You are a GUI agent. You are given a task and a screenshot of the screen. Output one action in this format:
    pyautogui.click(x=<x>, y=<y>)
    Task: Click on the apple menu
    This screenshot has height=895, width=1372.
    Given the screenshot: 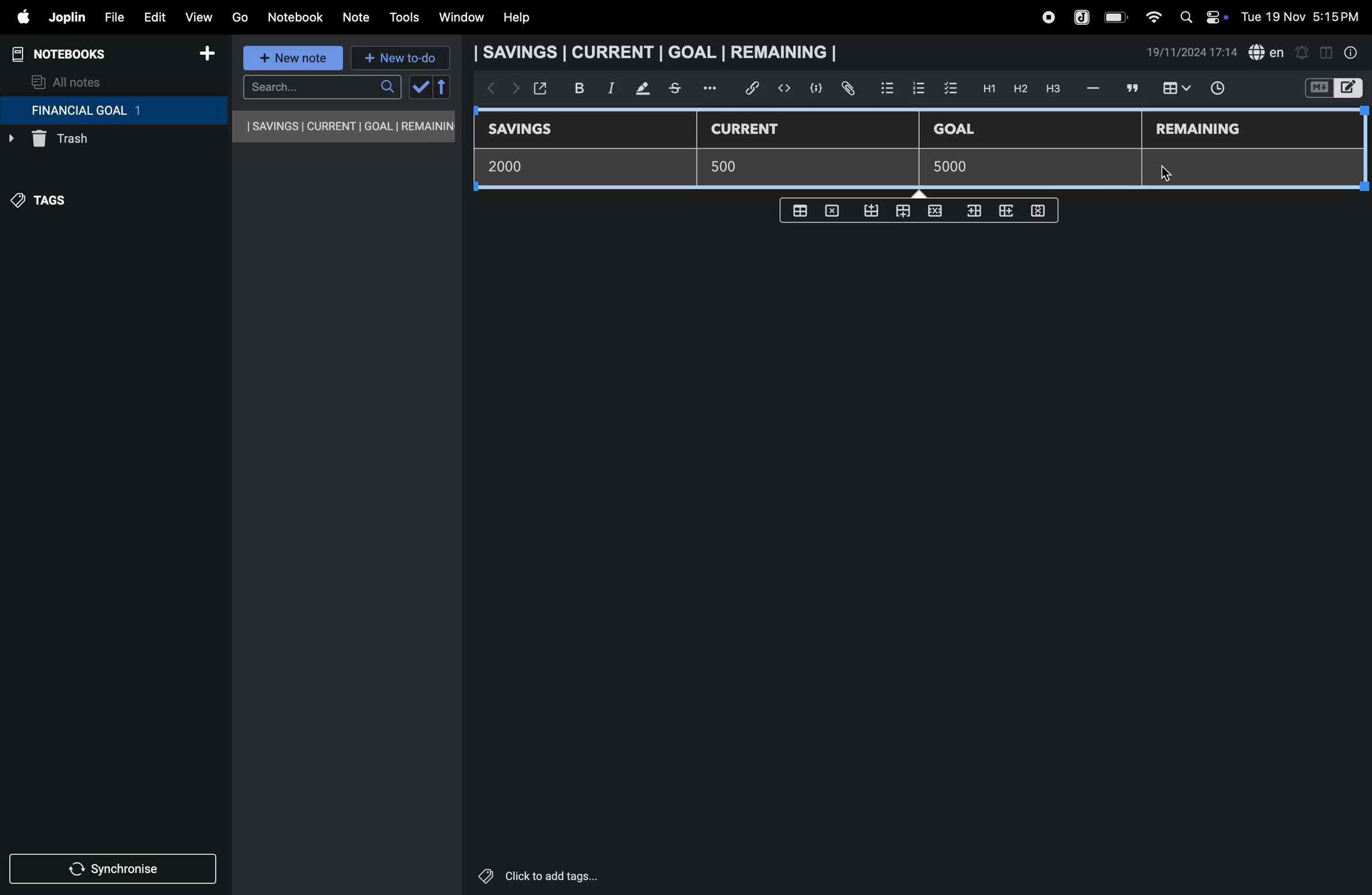 What is the action you would take?
    pyautogui.click(x=17, y=17)
    